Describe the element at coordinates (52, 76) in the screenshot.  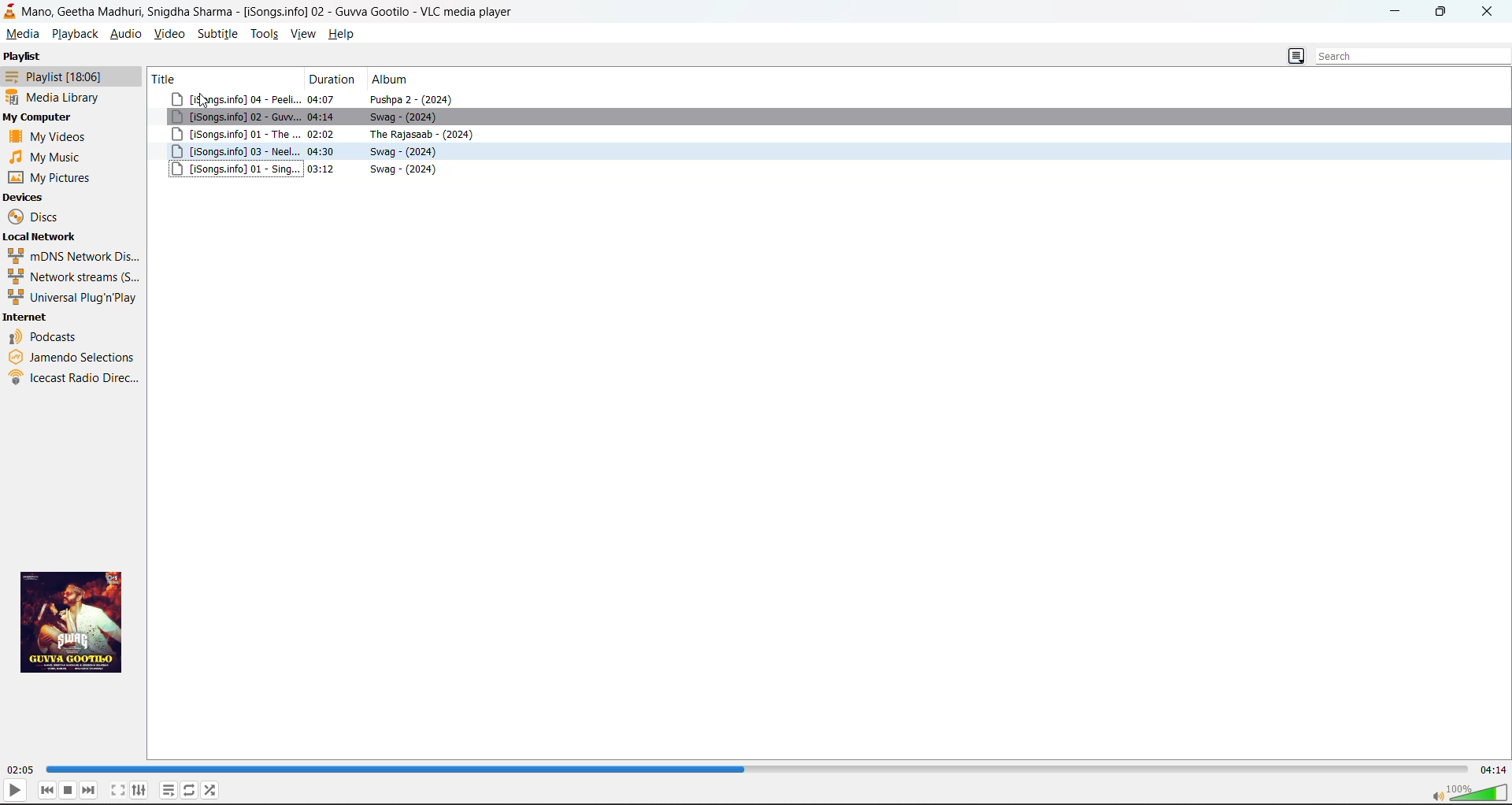
I see `playlist` at that location.